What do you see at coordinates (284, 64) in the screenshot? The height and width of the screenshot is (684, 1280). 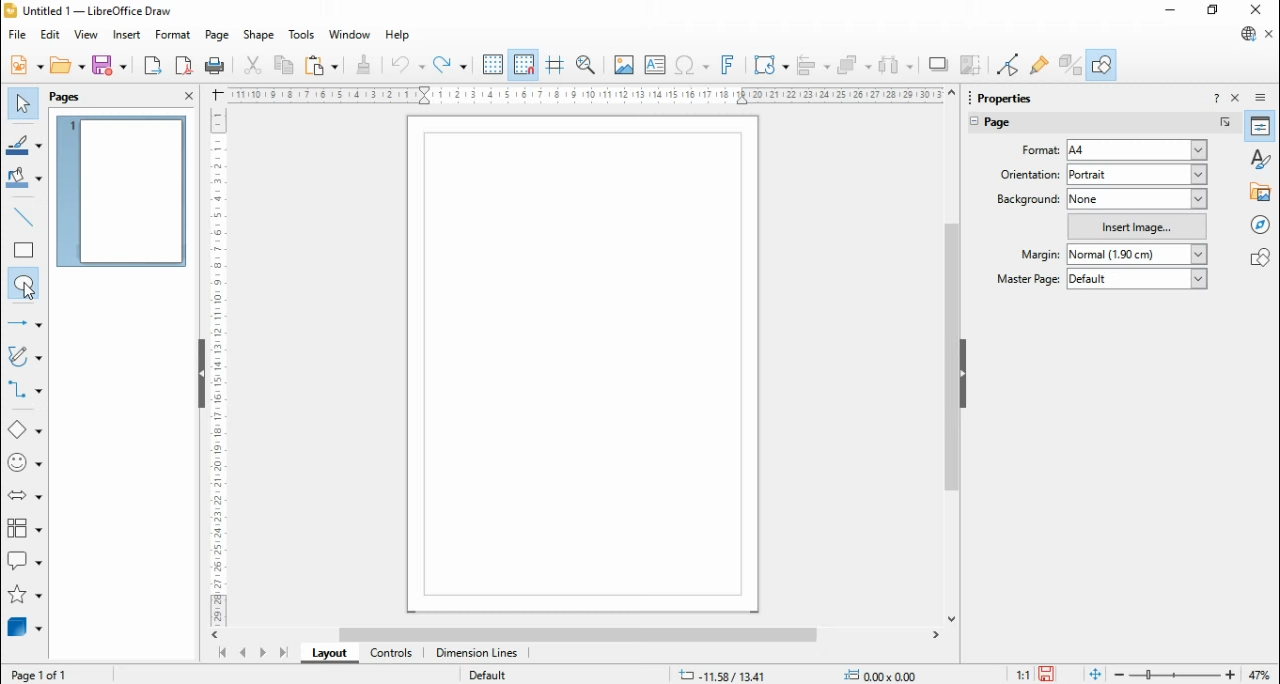 I see `copy` at bounding box center [284, 64].